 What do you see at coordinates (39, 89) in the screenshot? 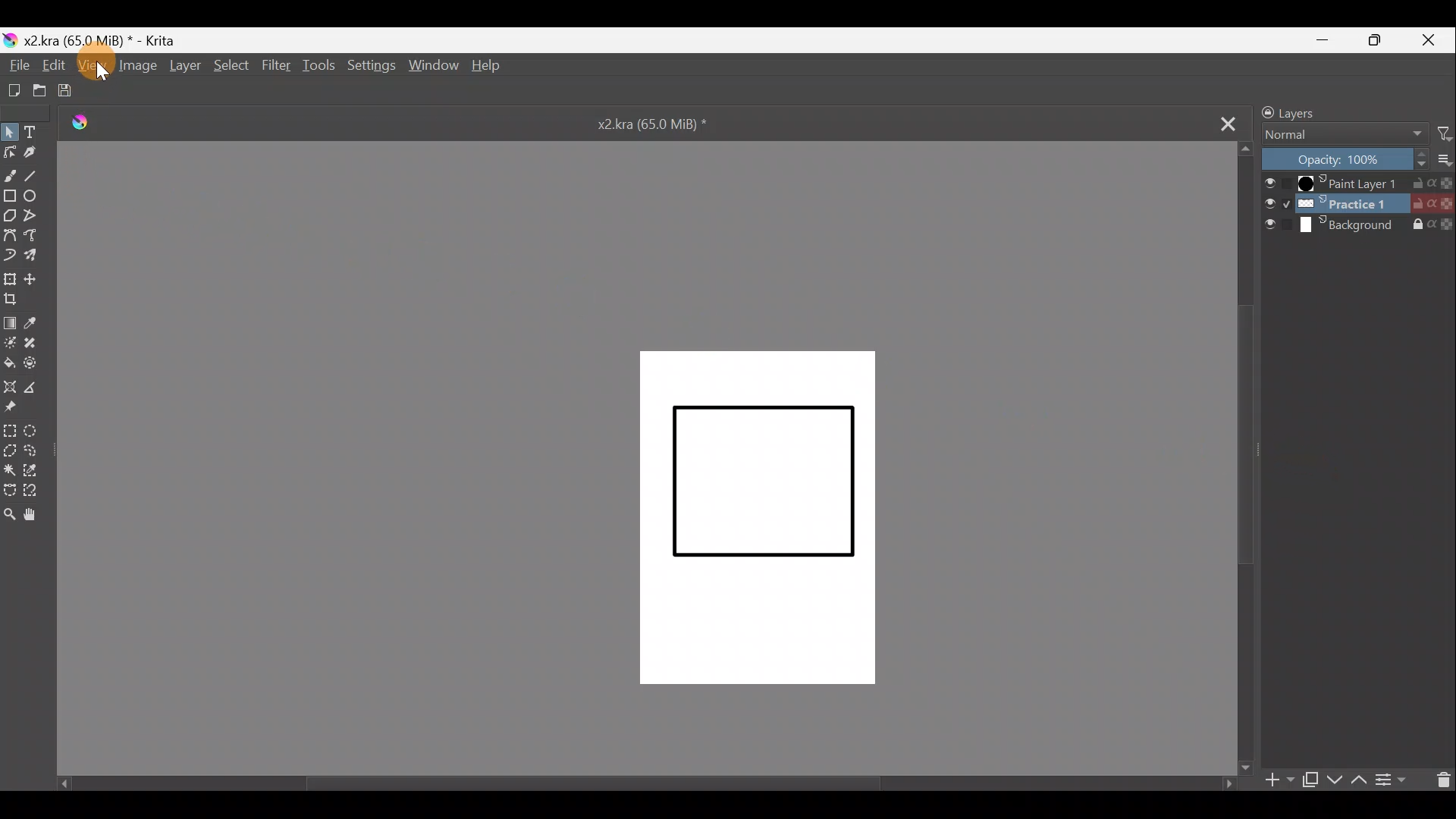
I see `Open an existing document` at bounding box center [39, 89].